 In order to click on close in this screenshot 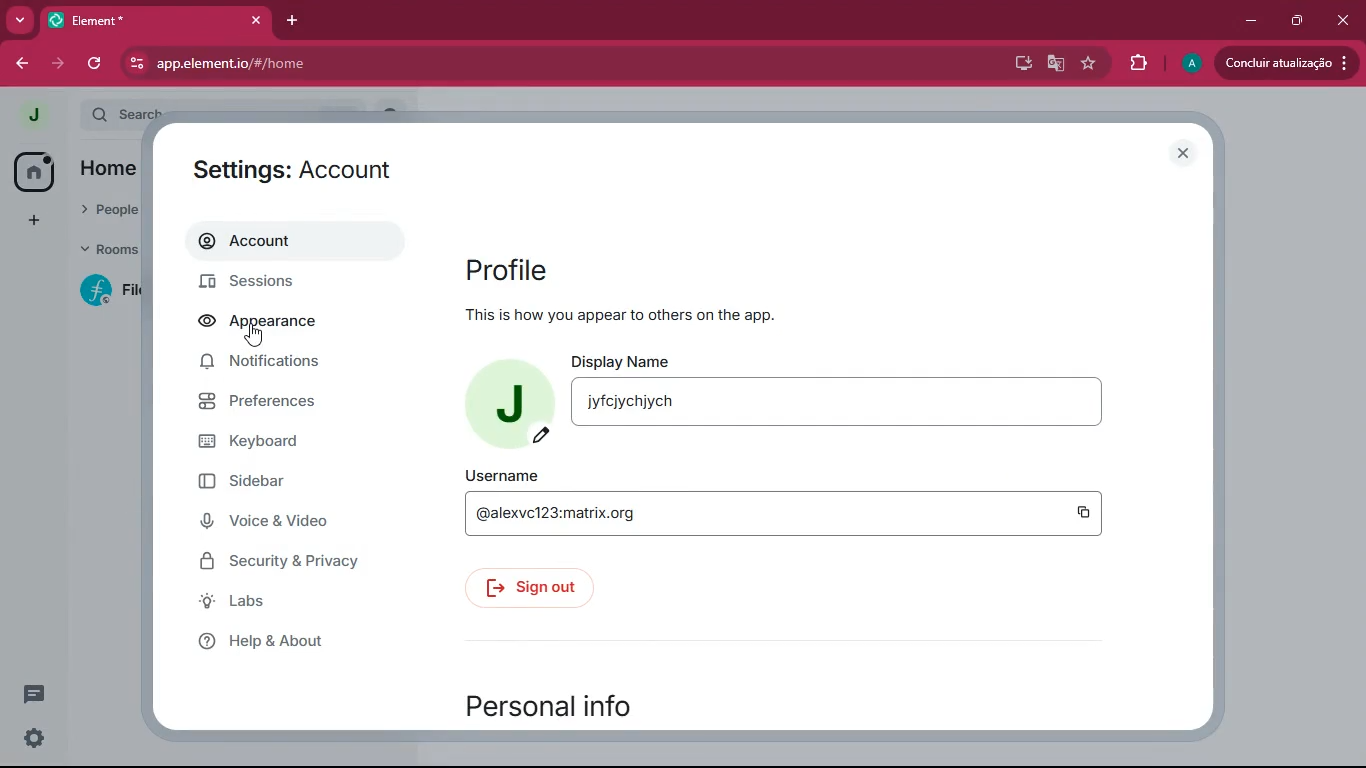, I will do `click(1340, 19)`.